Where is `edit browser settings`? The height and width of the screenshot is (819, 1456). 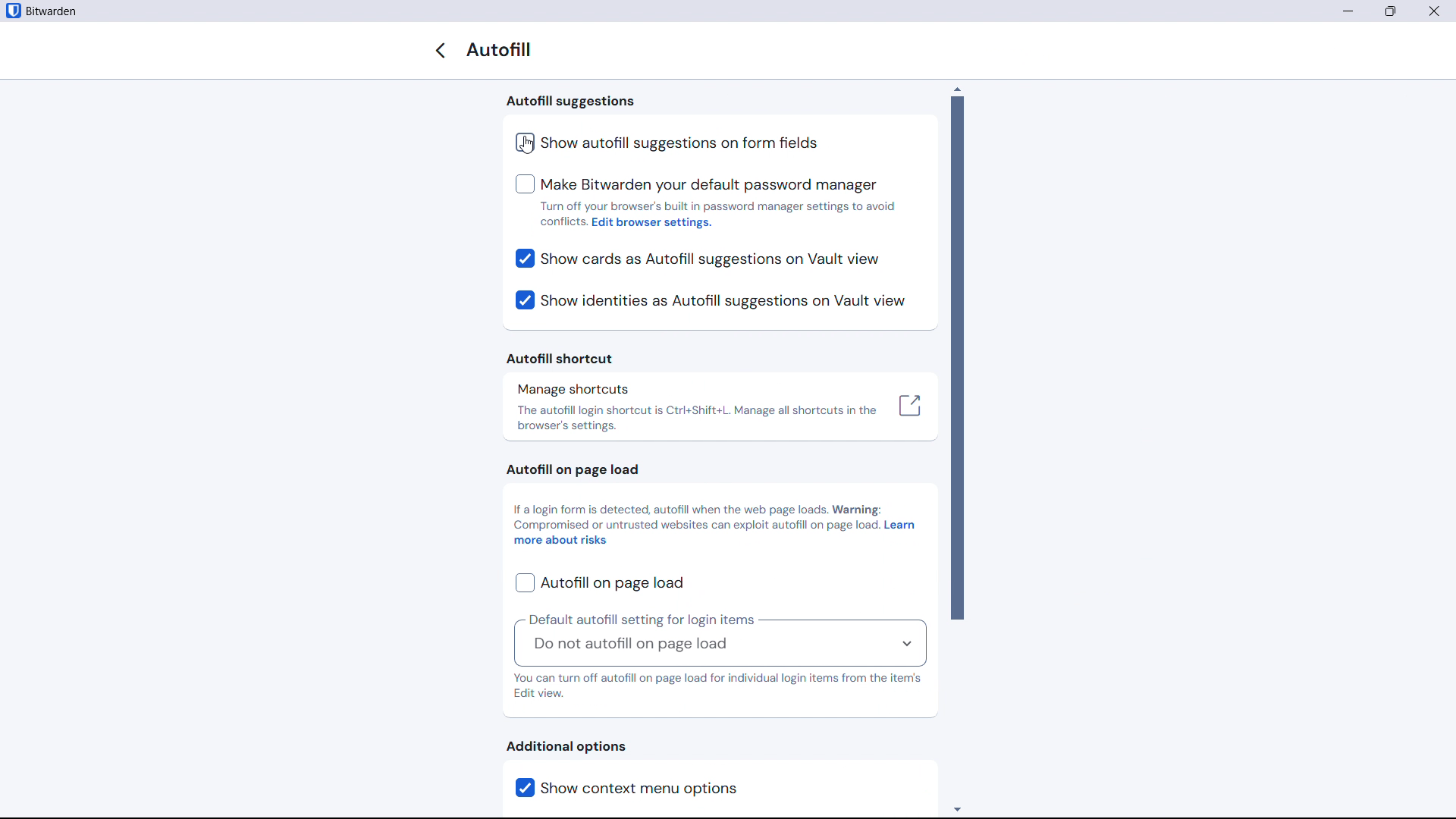 edit browser settings is located at coordinates (654, 224).